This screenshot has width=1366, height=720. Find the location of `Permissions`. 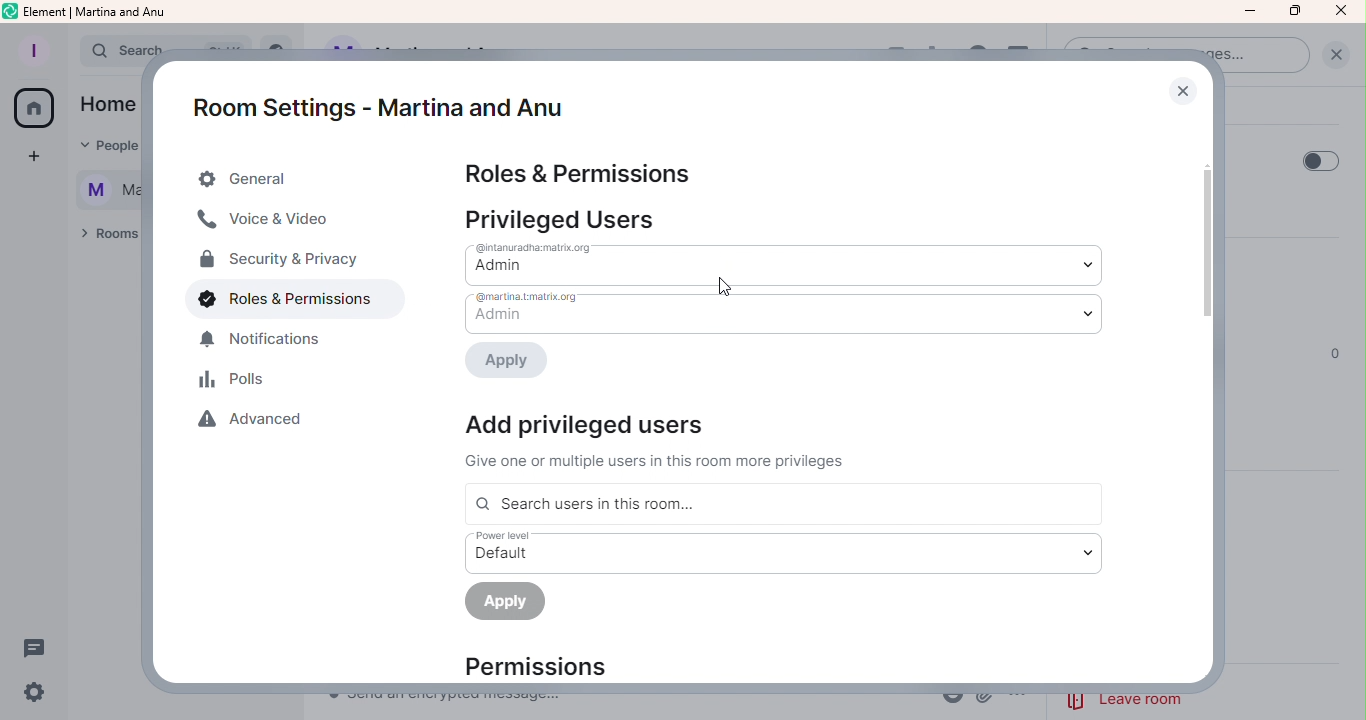

Permissions is located at coordinates (553, 666).